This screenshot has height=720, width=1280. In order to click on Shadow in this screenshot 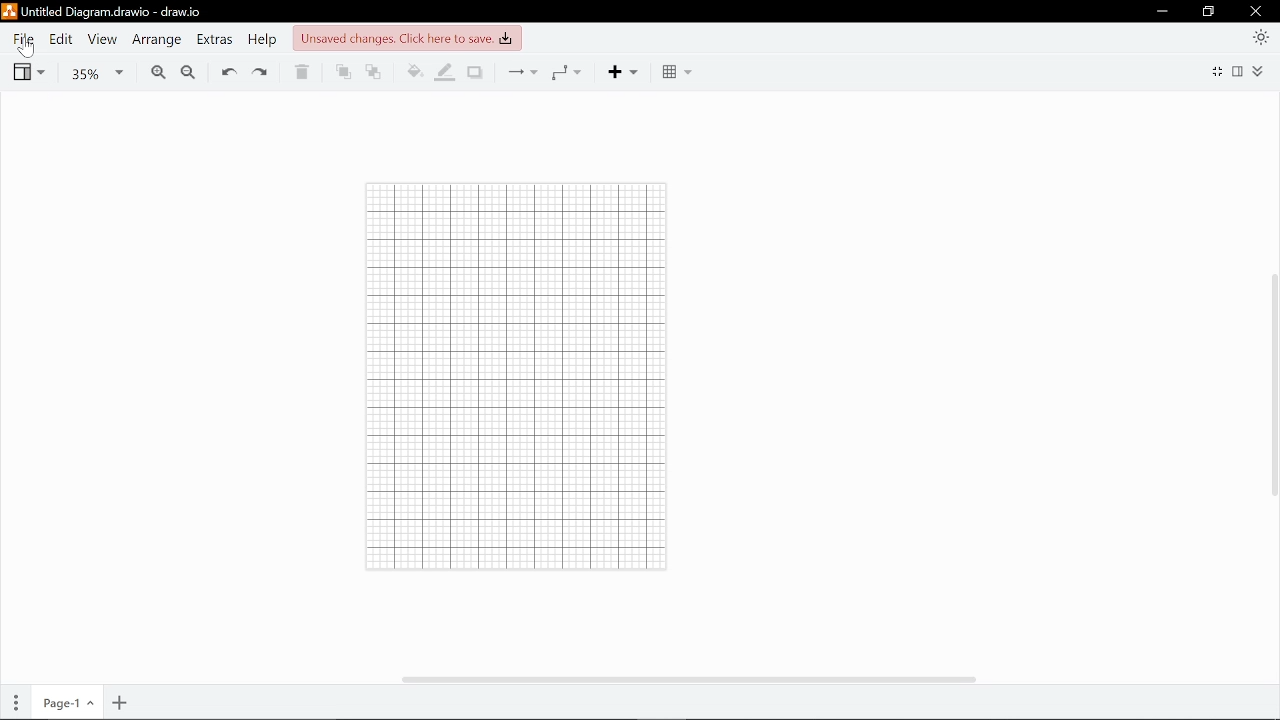, I will do `click(475, 72)`.